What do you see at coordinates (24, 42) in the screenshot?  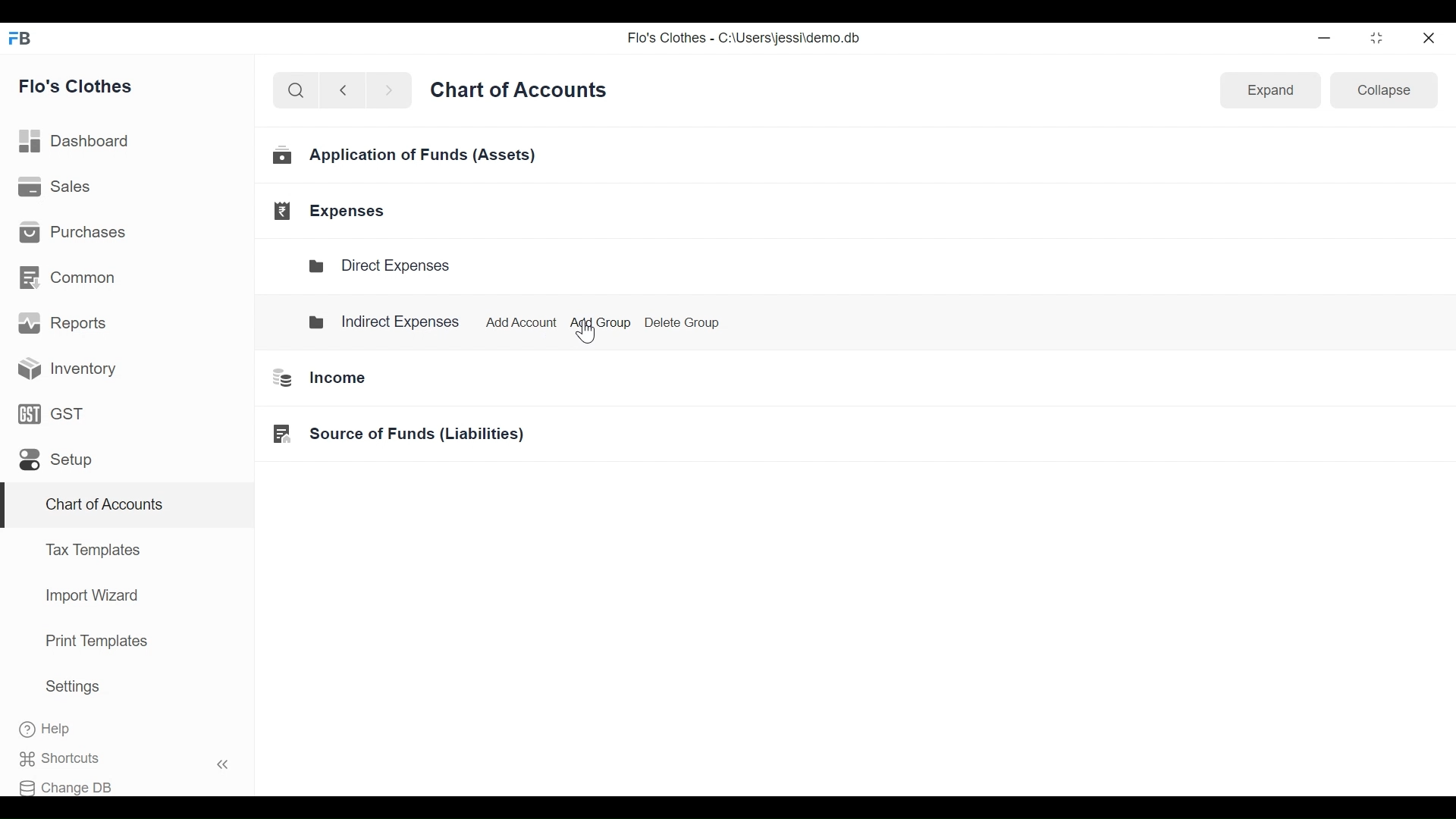 I see `FB` at bounding box center [24, 42].